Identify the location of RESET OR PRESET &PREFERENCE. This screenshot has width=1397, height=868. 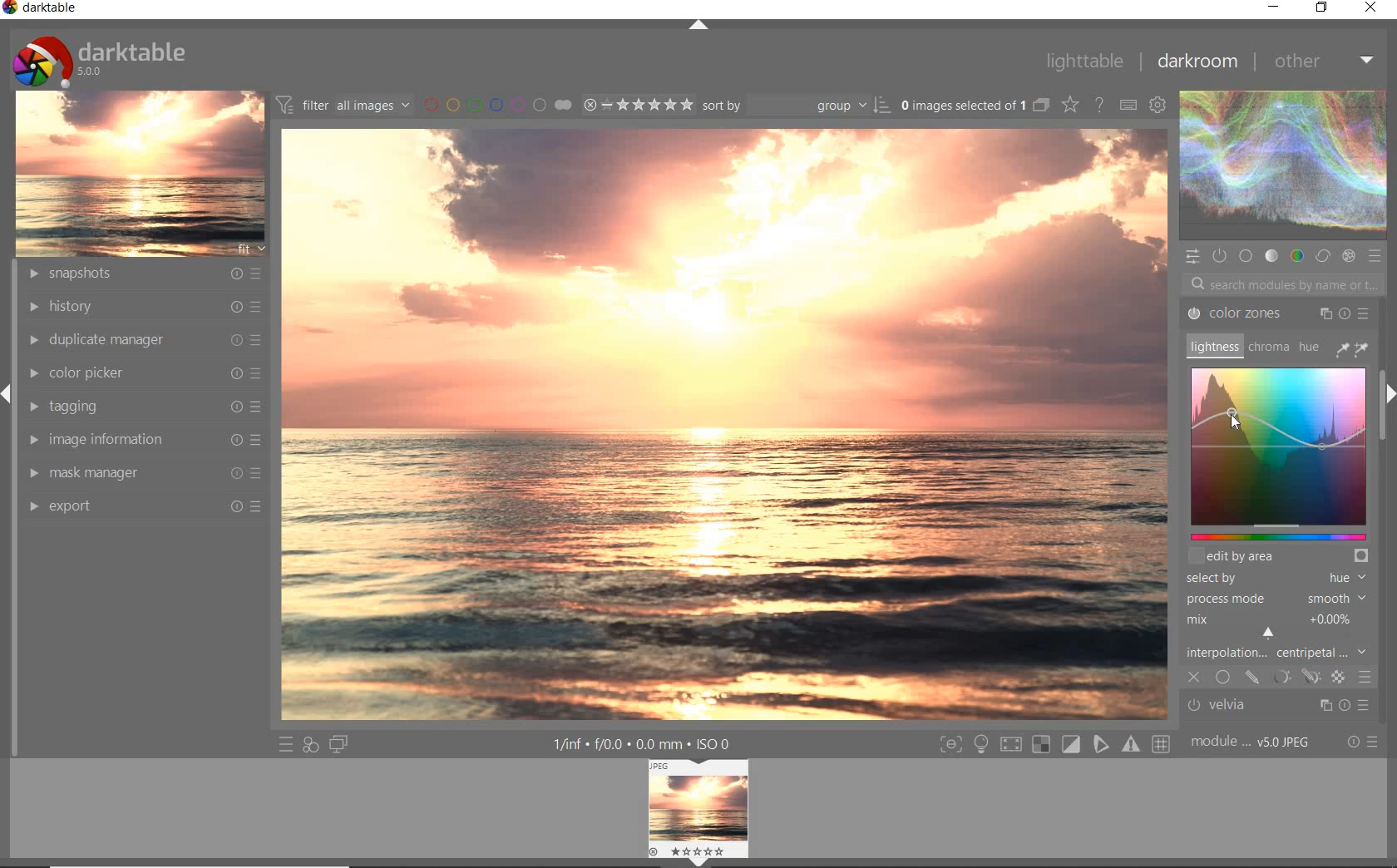
(1363, 742).